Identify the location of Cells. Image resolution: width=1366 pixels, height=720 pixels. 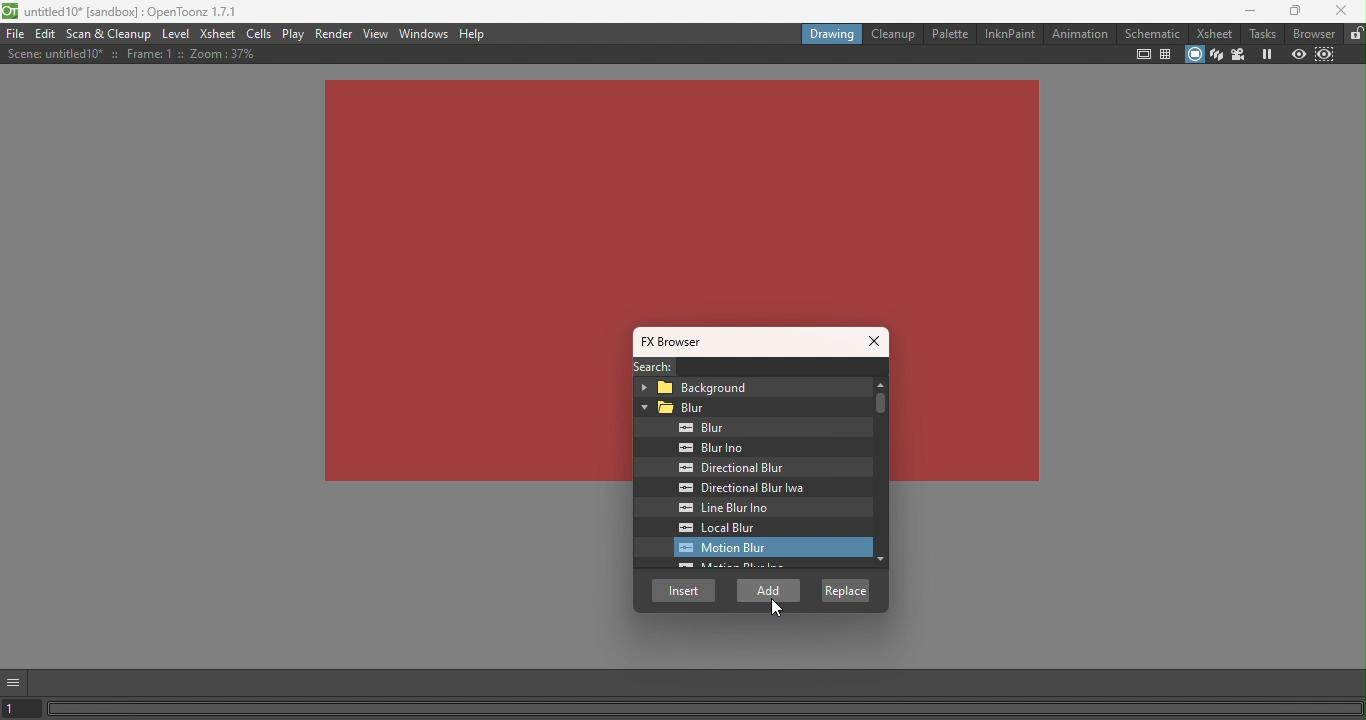
(262, 34).